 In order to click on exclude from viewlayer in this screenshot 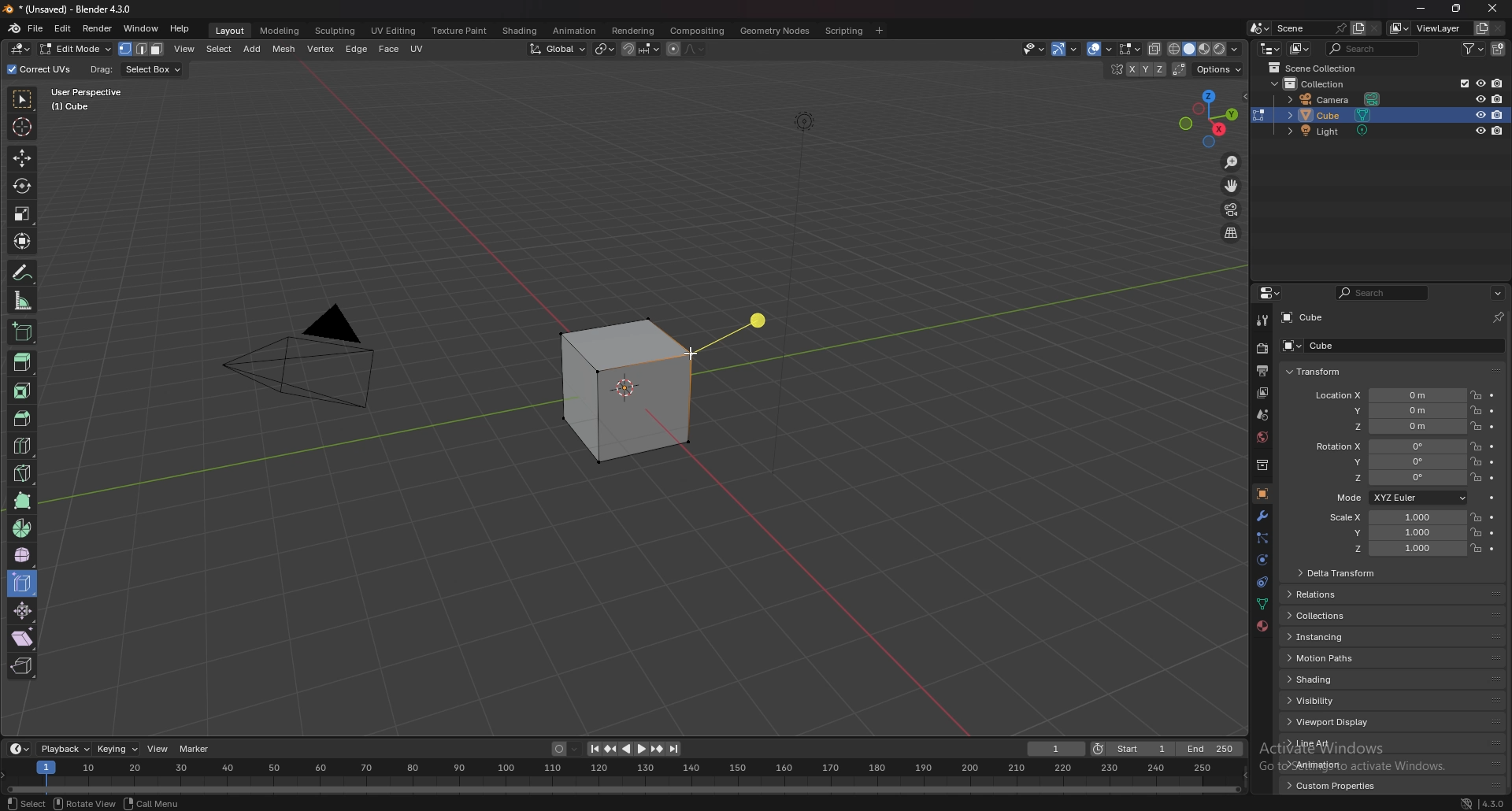, I will do `click(1459, 83)`.